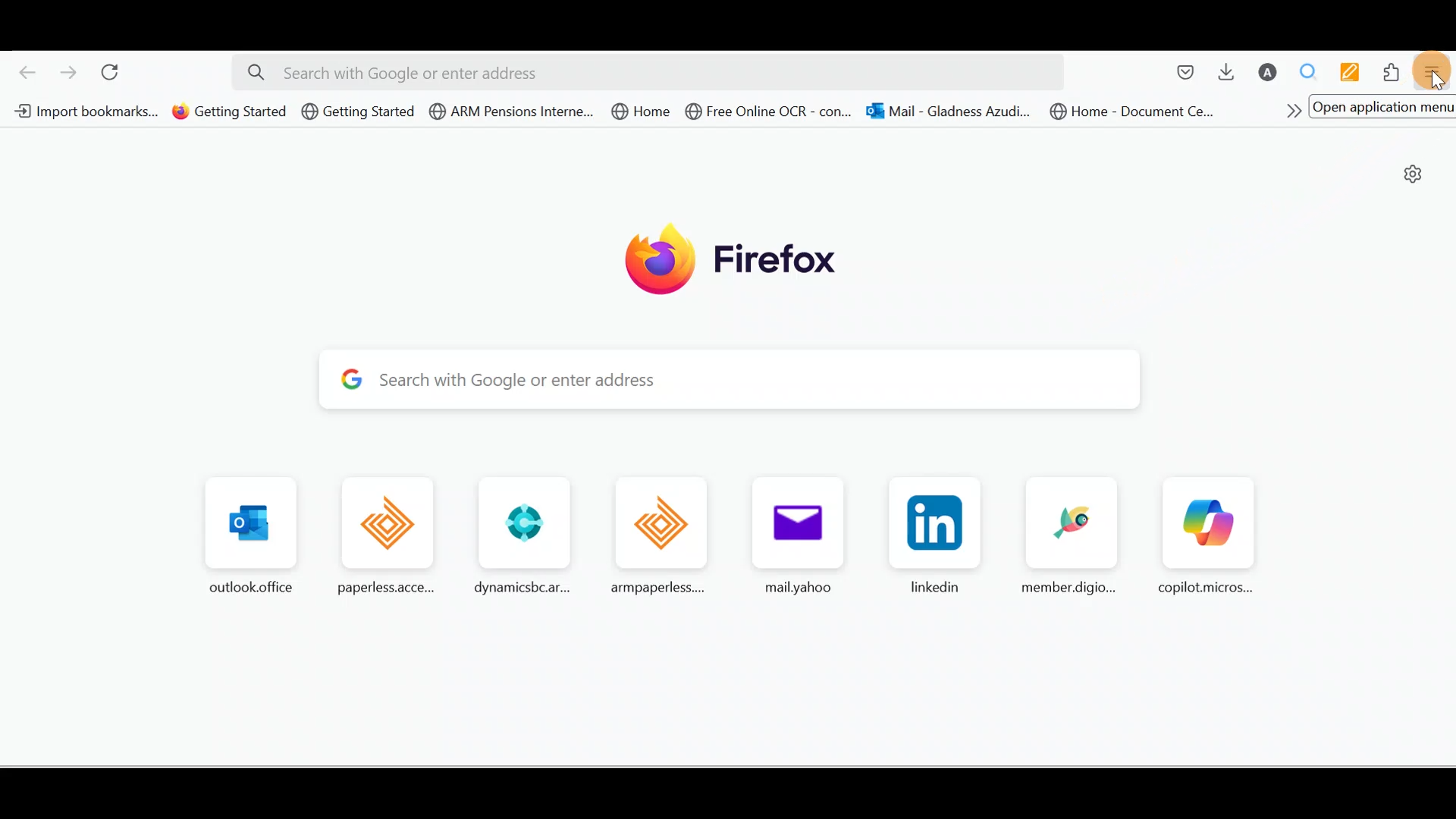 The height and width of the screenshot is (819, 1456). What do you see at coordinates (1383, 106) in the screenshot?
I see `menu` at bounding box center [1383, 106].